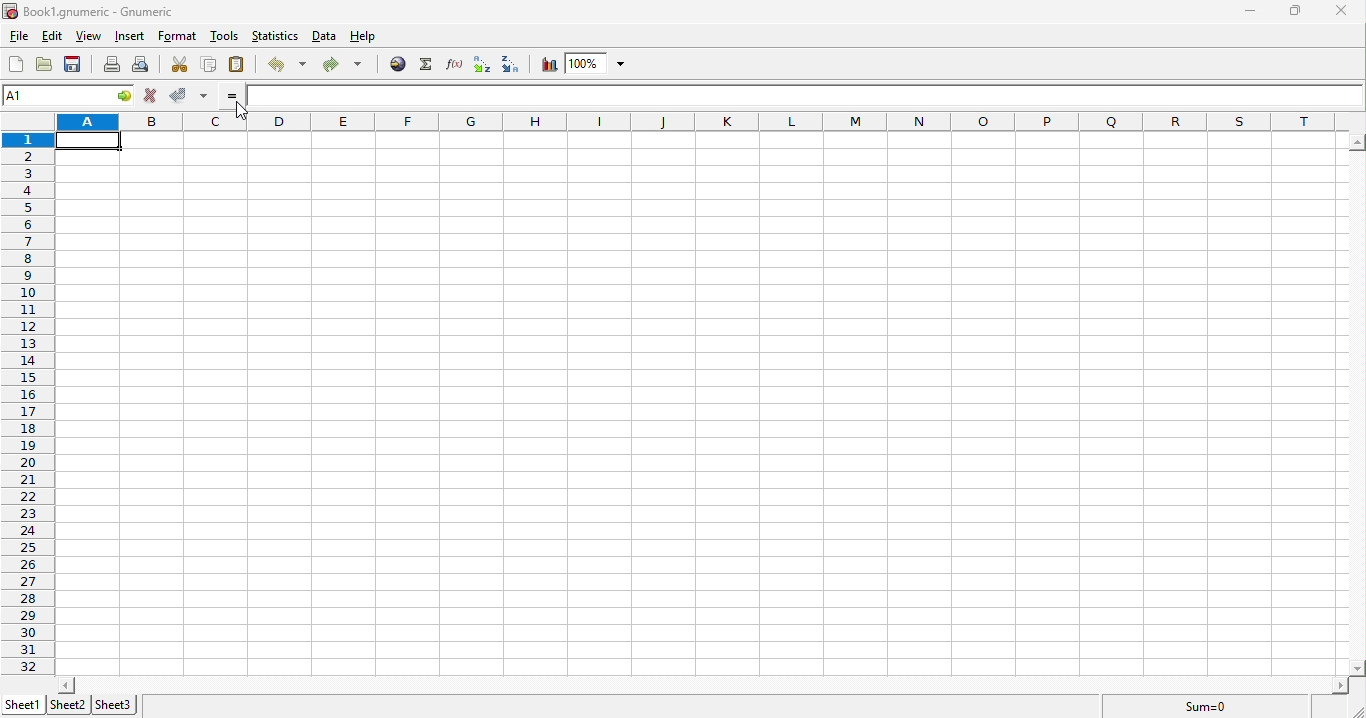  I want to click on space for vertical scroll bar, so click(1357, 403).